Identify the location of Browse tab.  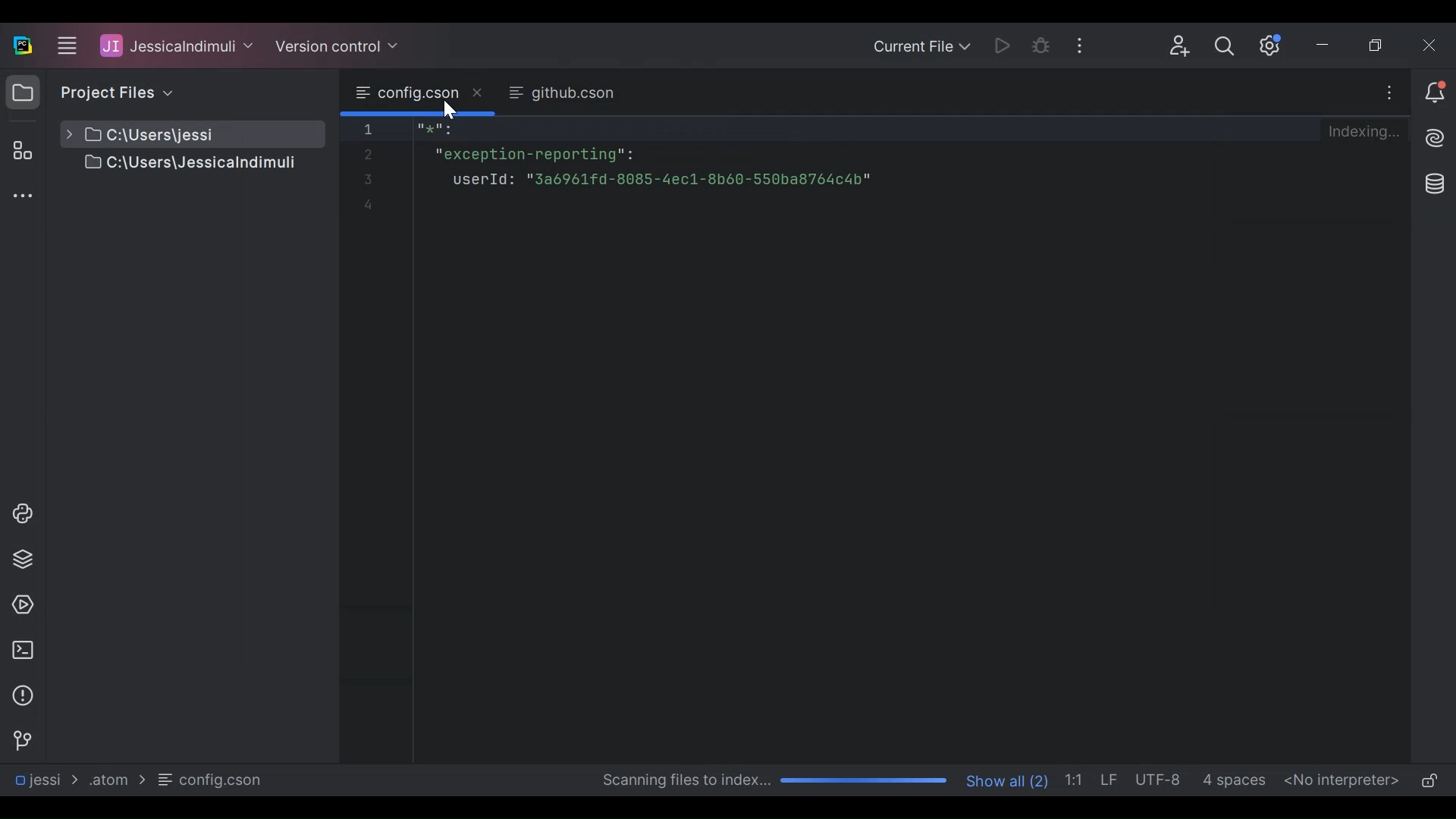
(419, 93).